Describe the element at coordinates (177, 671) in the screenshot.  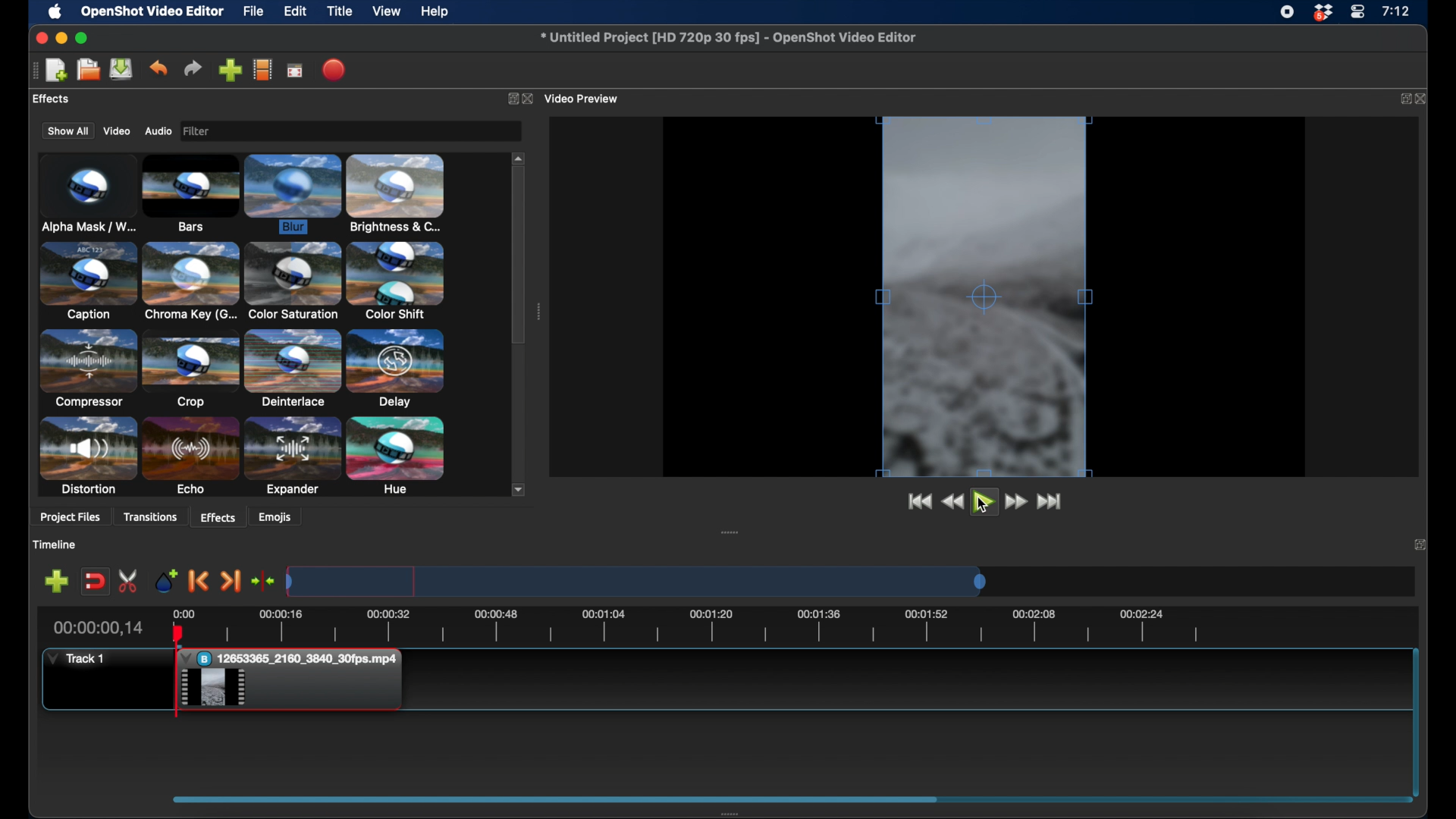
I see `playhead` at that location.